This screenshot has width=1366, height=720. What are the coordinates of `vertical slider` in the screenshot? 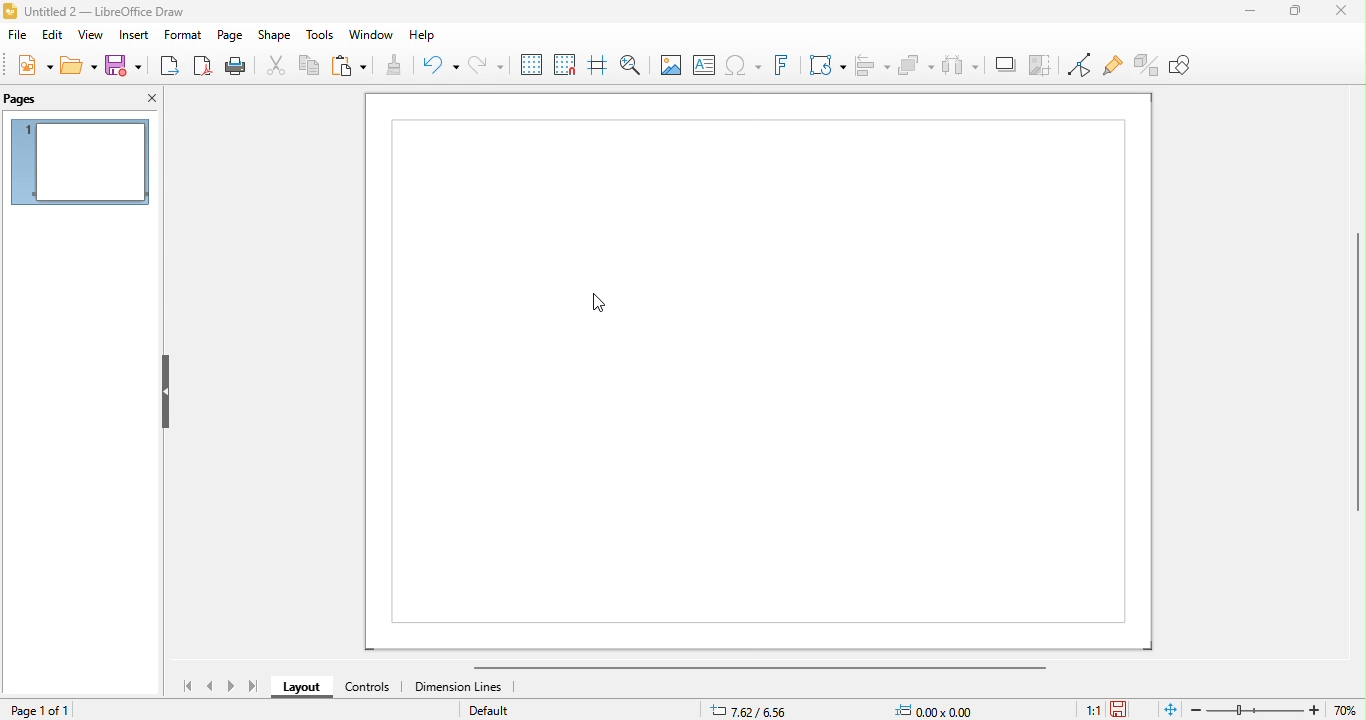 It's located at (1337, 378).